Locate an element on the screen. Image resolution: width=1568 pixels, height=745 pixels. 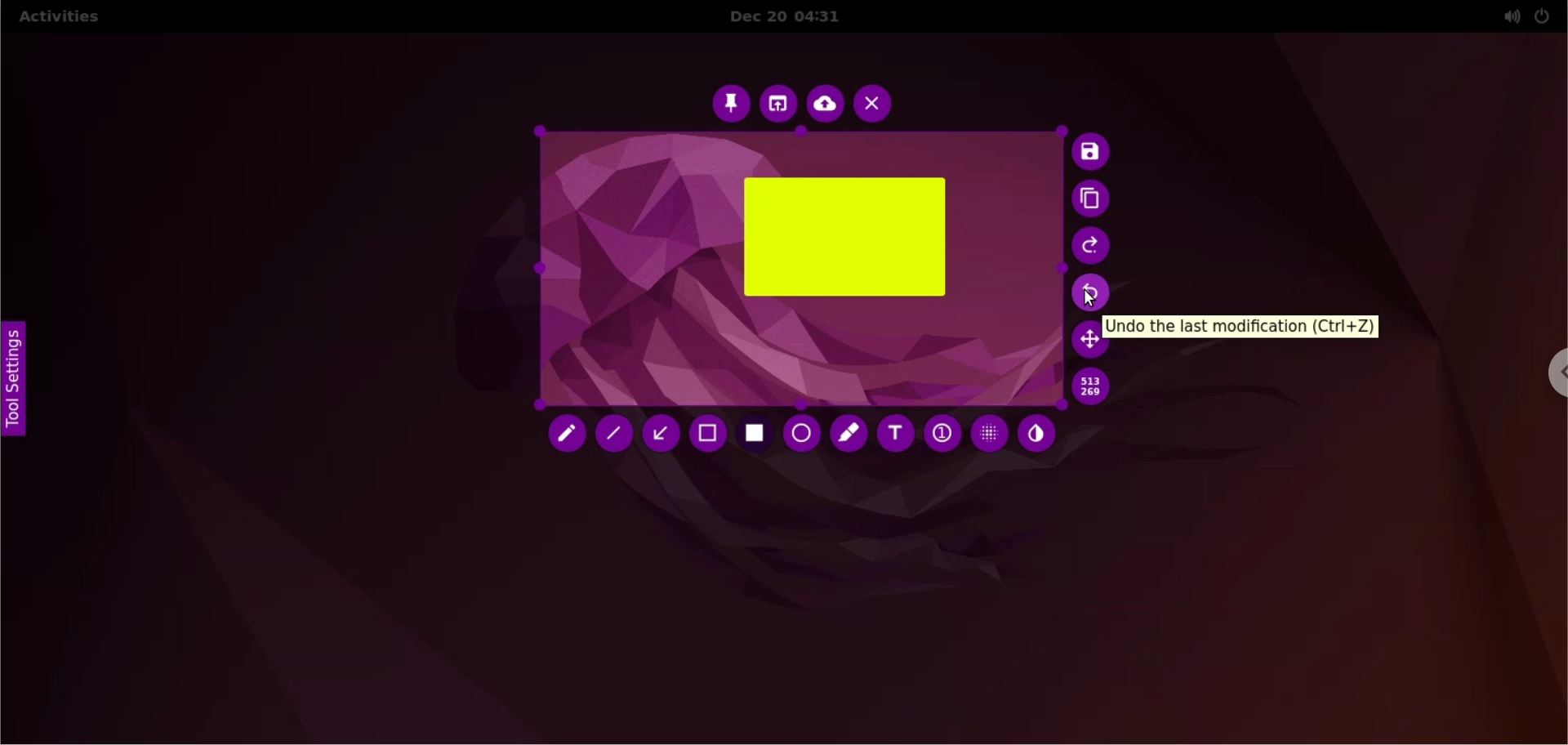
upload is located at coordinates (825, 104).